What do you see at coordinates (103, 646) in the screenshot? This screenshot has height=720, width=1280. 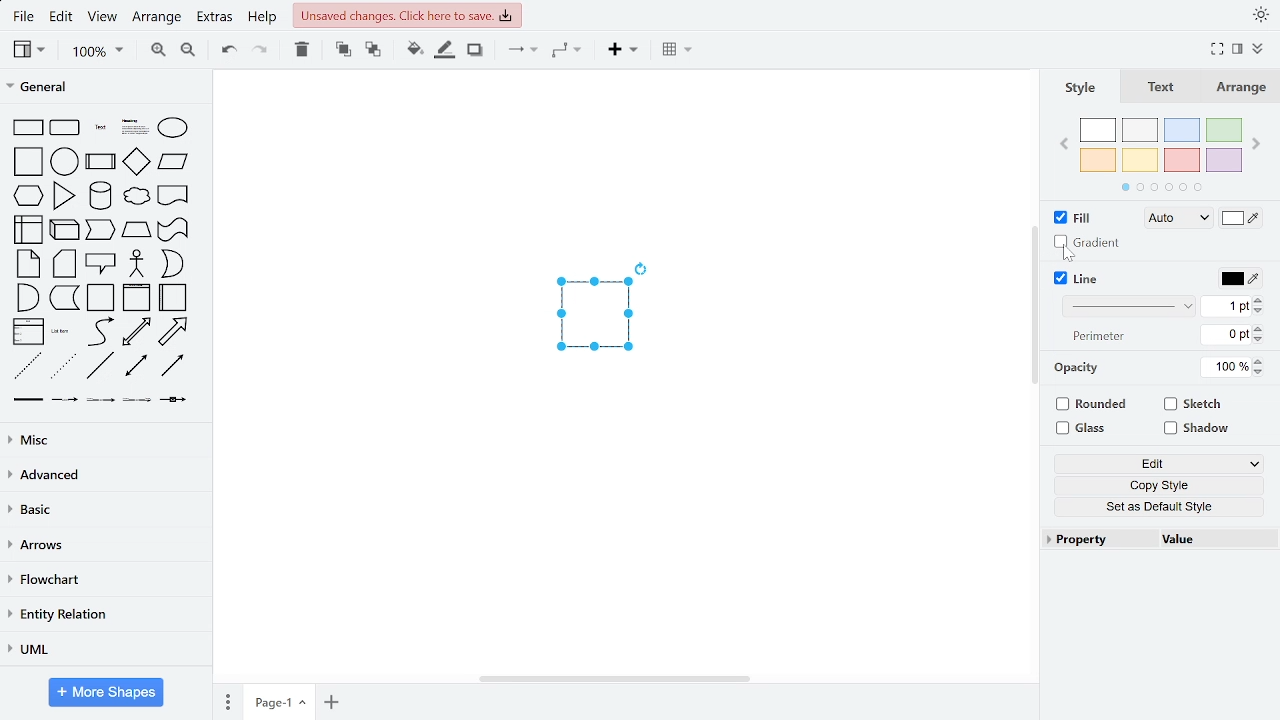 I see `UML` at bounding box center [103, 646].